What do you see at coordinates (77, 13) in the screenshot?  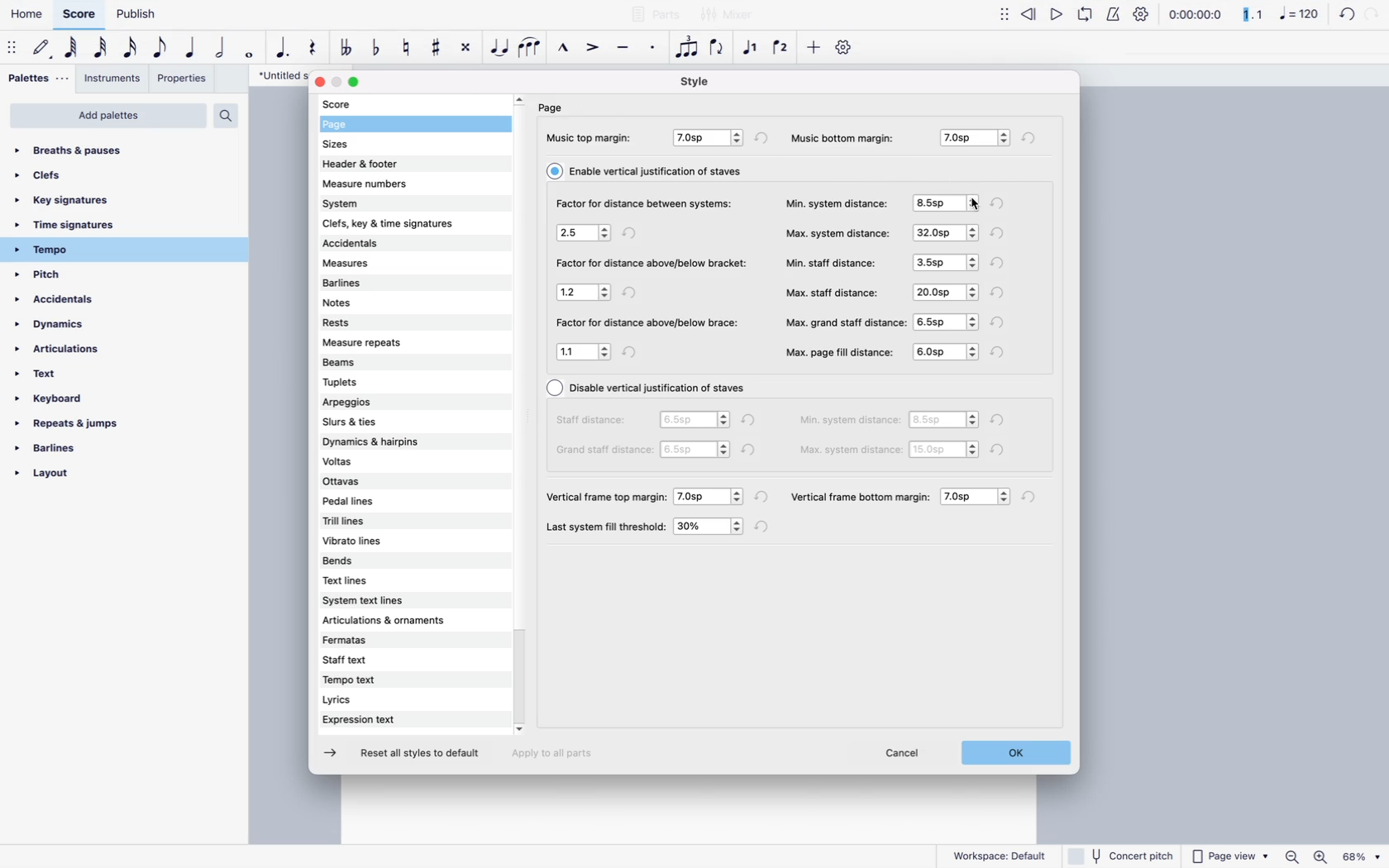 I see `Score` at bounding box center [77, 13].